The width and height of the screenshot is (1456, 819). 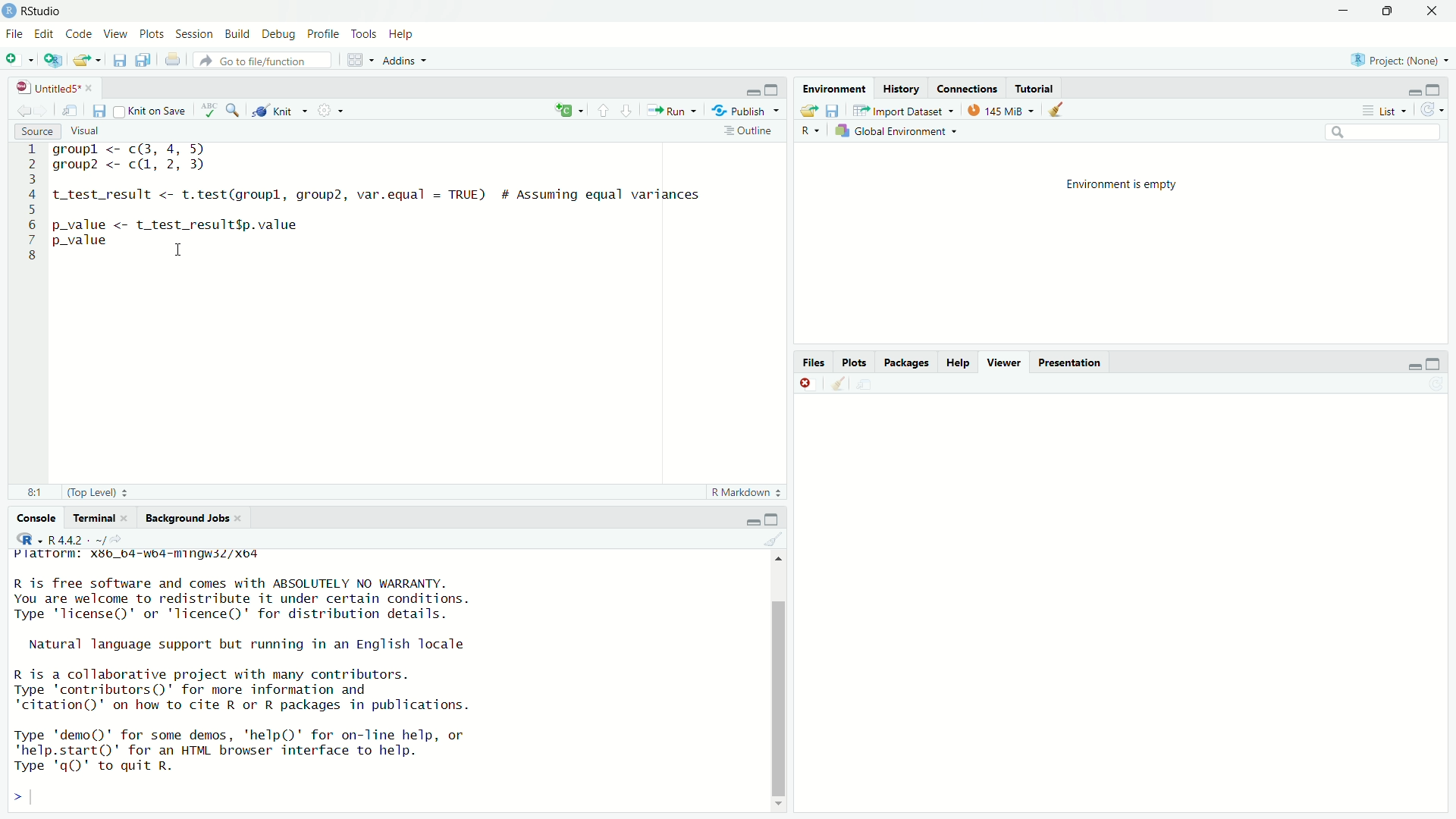 I want to click on FIST. Sv wey Wimpey avs

R is free software and comes with ABSOLUTELY NO WARRANTY.

You are welcome to redistribute it under certain conditions.

Type 'license()' or 'licence()' for distribution details.
Natural language support but running in an English locale

R is a collaborative project with many contributors.

Type 'contributors()' for more information and

'citation()' on how to cite R or R packages in publications.

Type 'demo()' for some demos, 'help()' for on-Tine help, or

"help.start()' for an HTML browser interface to help.

Type 'qQ)' to quit R., so click(x=240, y=666).